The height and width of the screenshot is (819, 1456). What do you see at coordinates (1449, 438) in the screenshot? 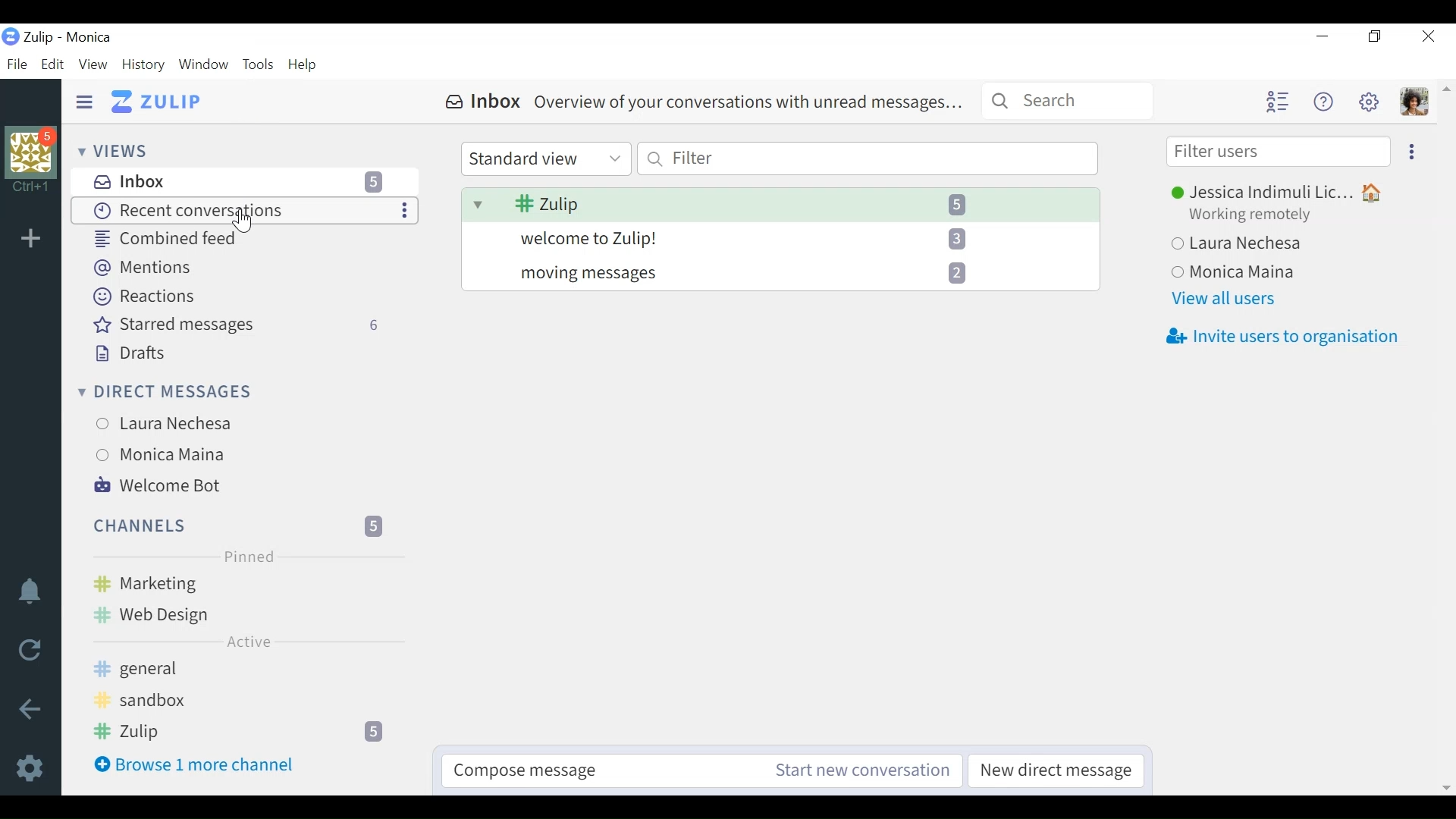
I see `vertical scrollbar` at bounding box center [1449, 438].